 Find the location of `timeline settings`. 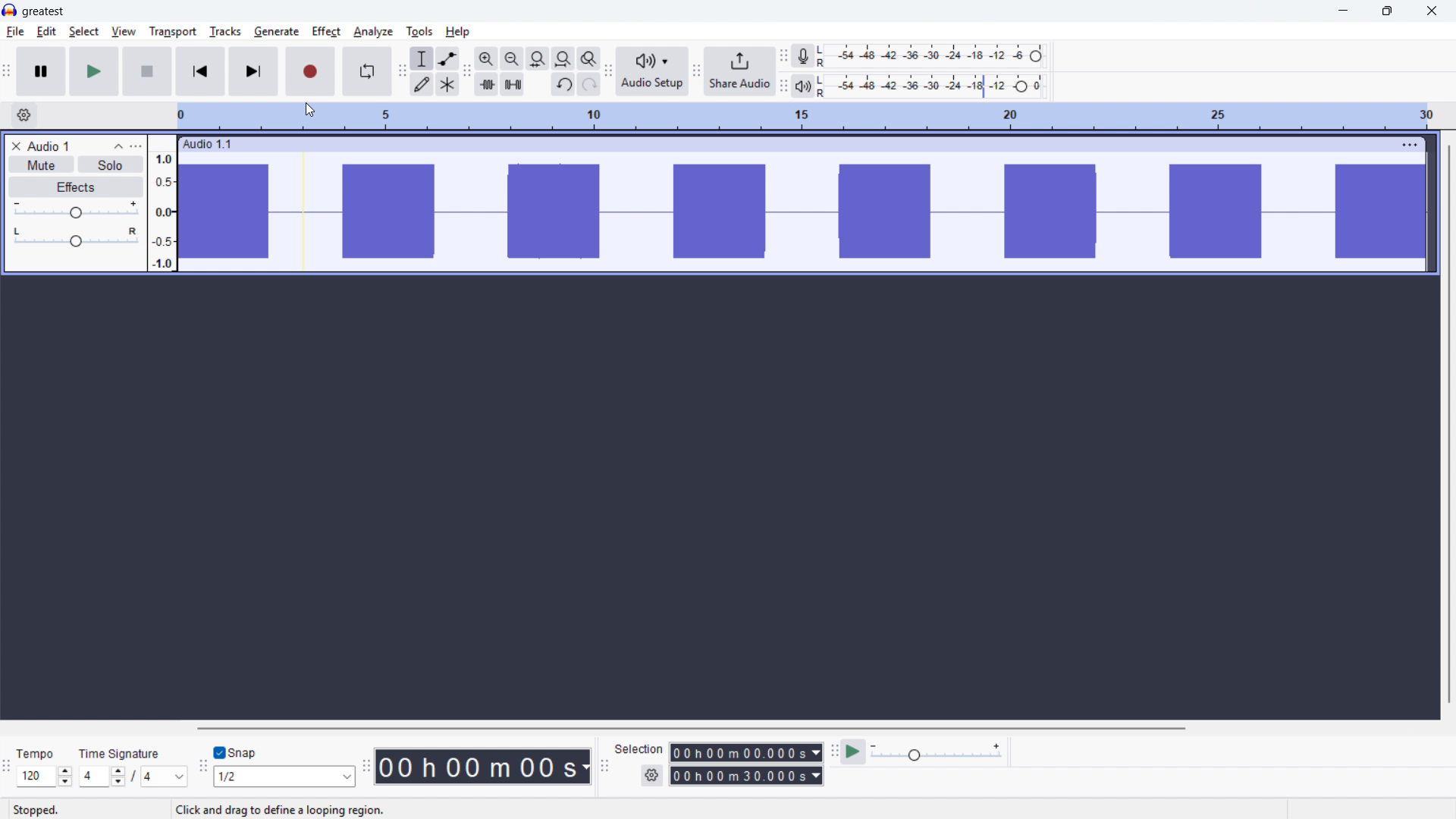

timeline settings is located at coordinates (24, 116).